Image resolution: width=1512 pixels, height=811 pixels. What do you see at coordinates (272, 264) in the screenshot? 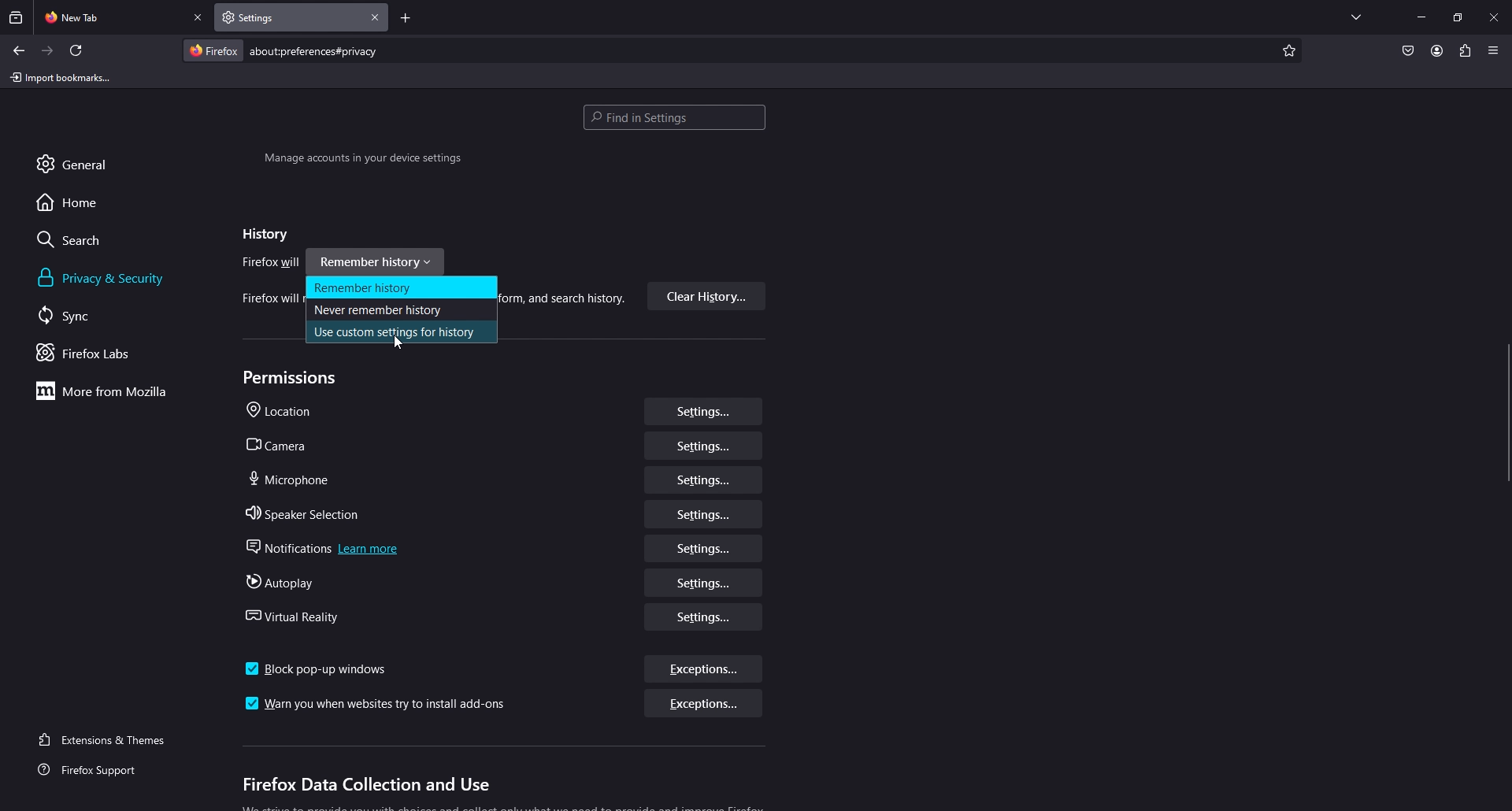
I see `firefox will ` at bounding box center [272, 264].